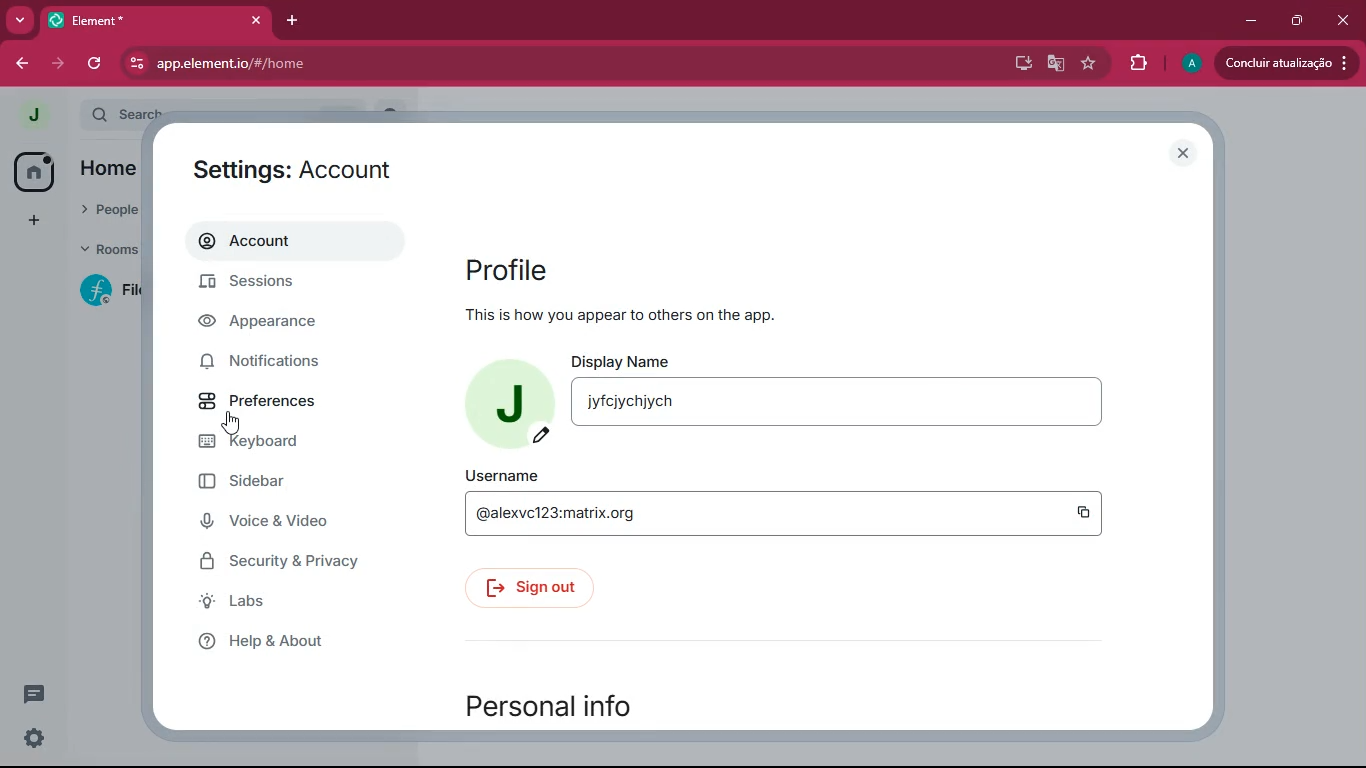 This screenshot has height=768, width=1366. I want to click on help, so click(277, 641).